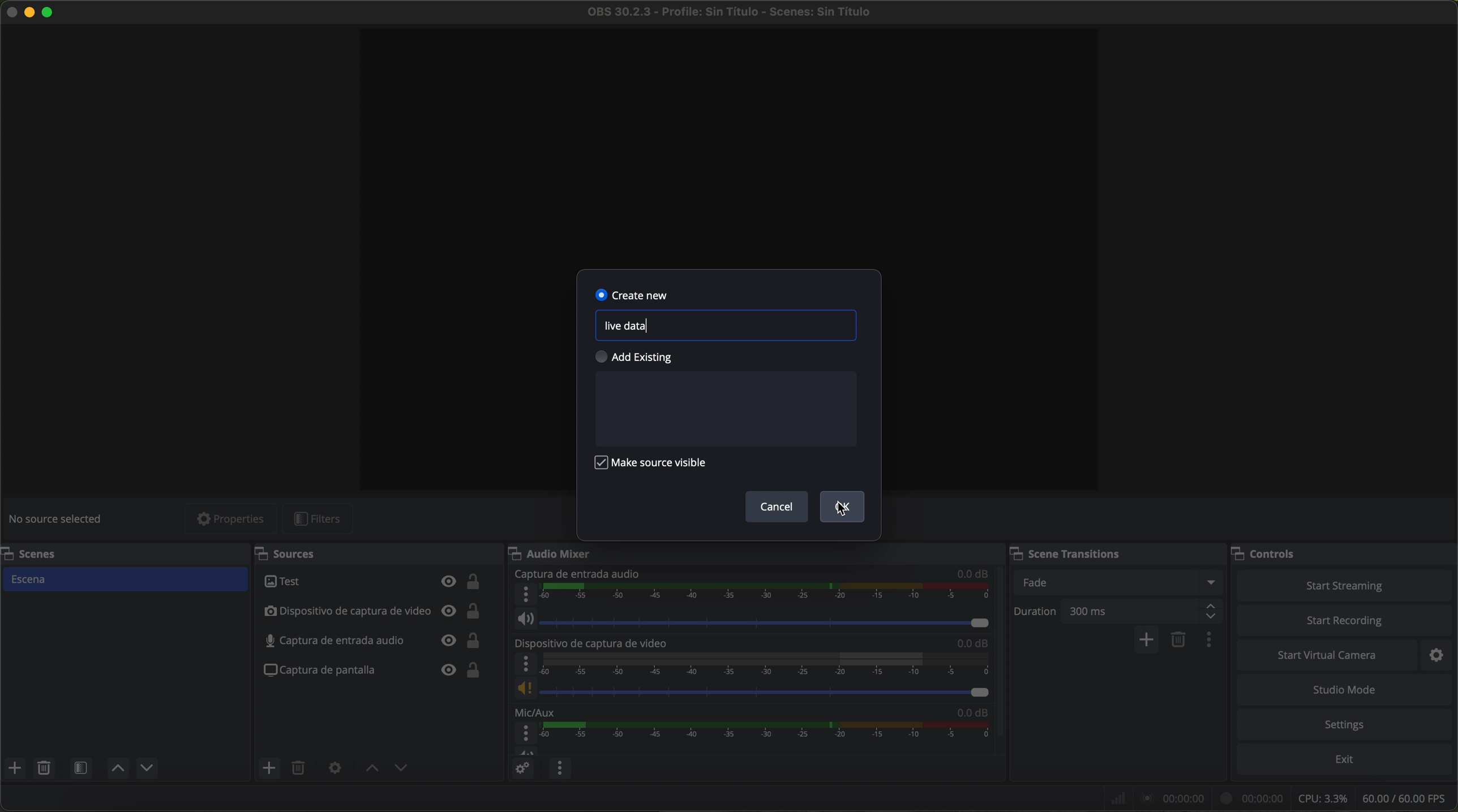 The image size is (1458, 812). Describe the element at coordinates (14, 768) in the screenshot. I see `add scenes` at that location.